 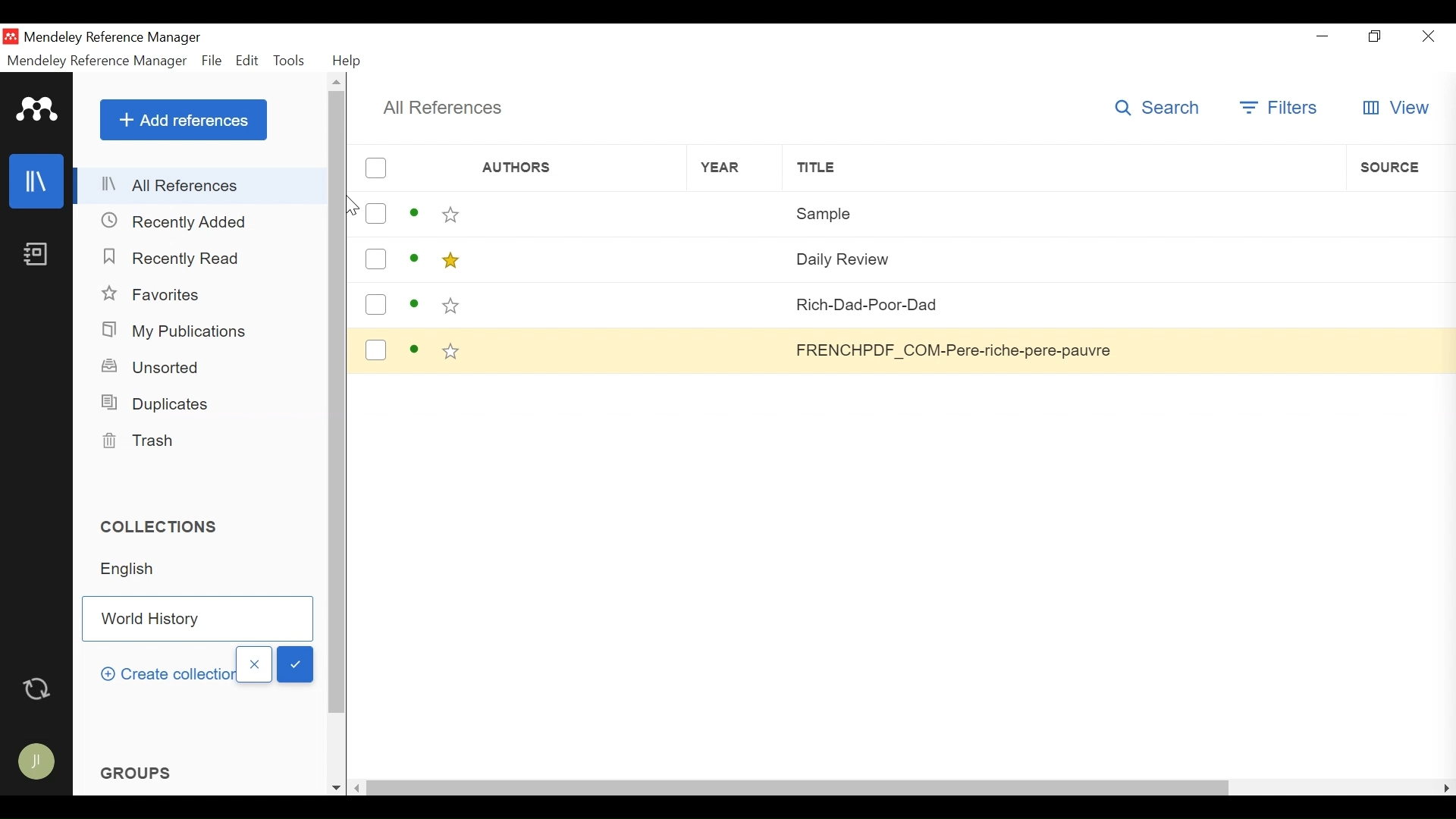 I want to click on OK, so click(x=293, y=664).